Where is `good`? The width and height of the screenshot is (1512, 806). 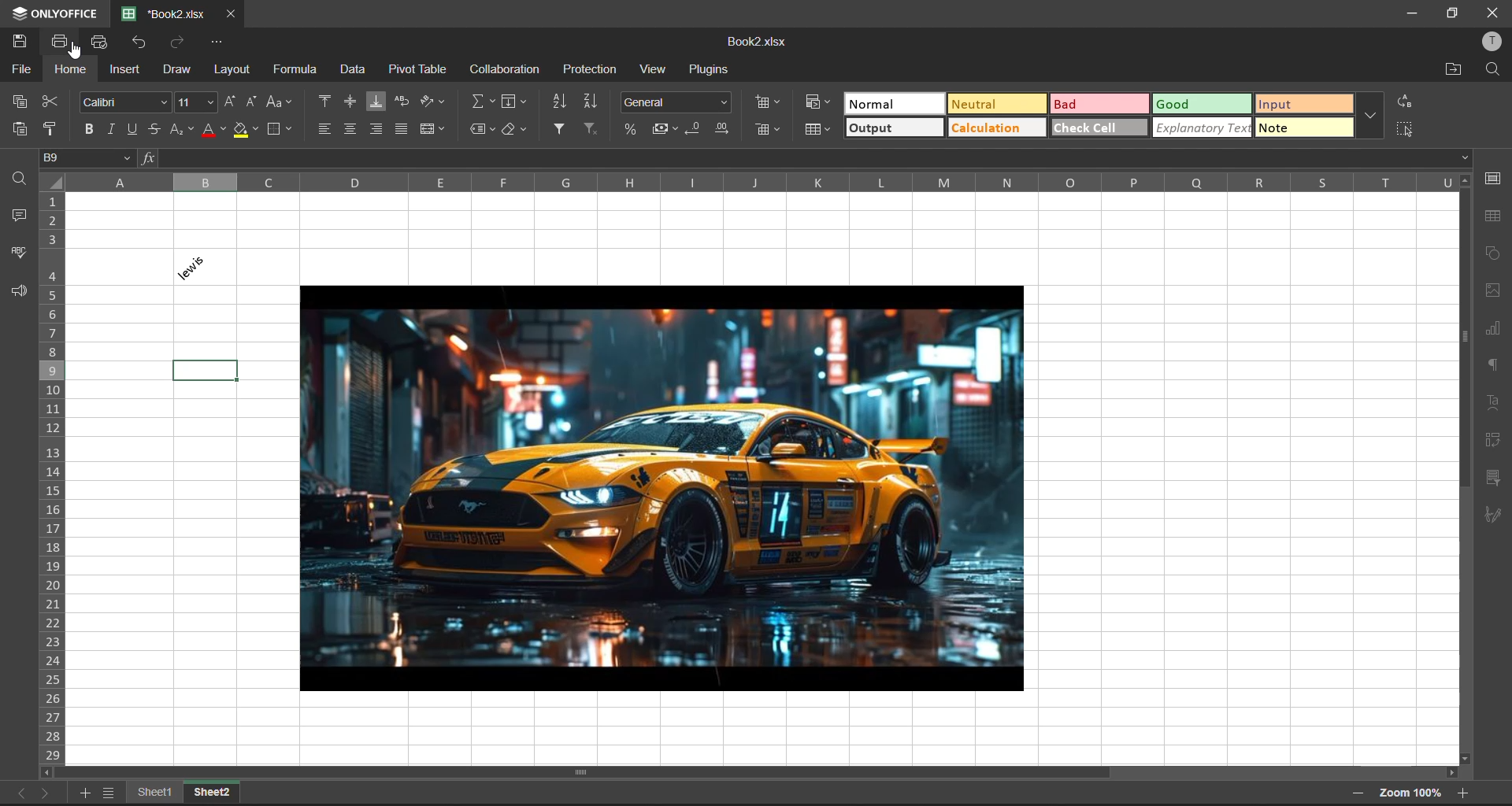
good is located at coordinates (1196, 104).